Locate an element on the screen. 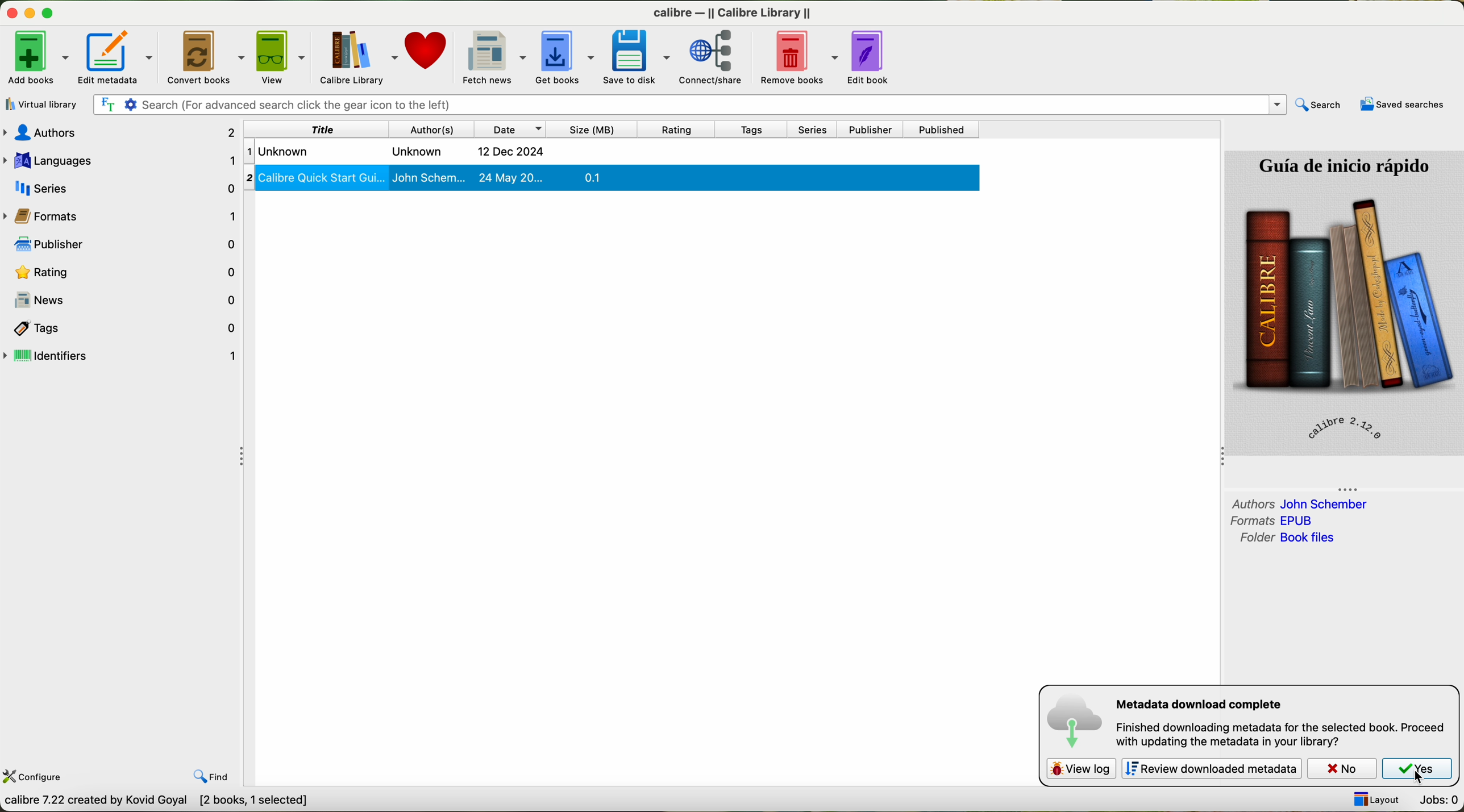 Image resolution: width=1464 pixels, height=812 pixels. Languages is located at coordinates (124, 161).